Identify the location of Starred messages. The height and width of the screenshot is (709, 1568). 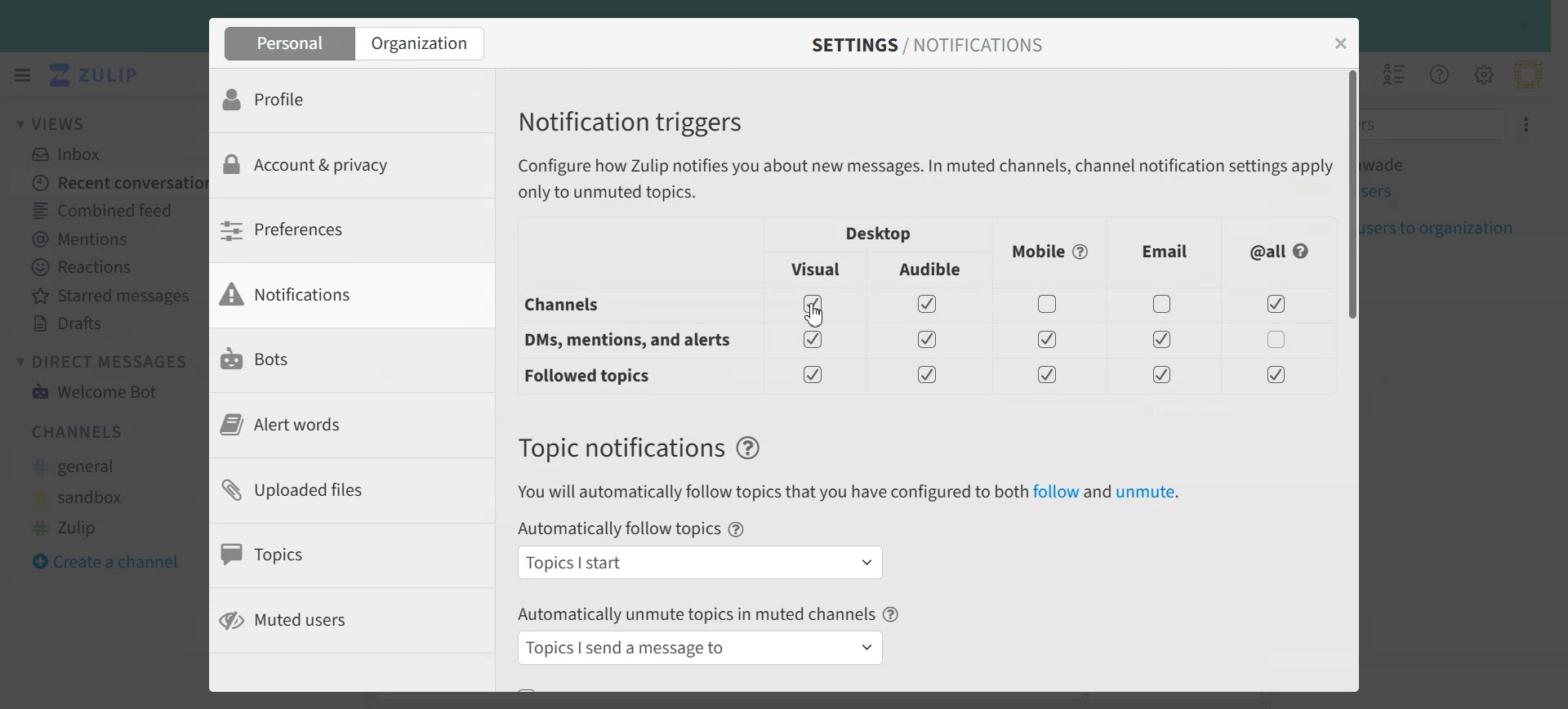
(109, 295).